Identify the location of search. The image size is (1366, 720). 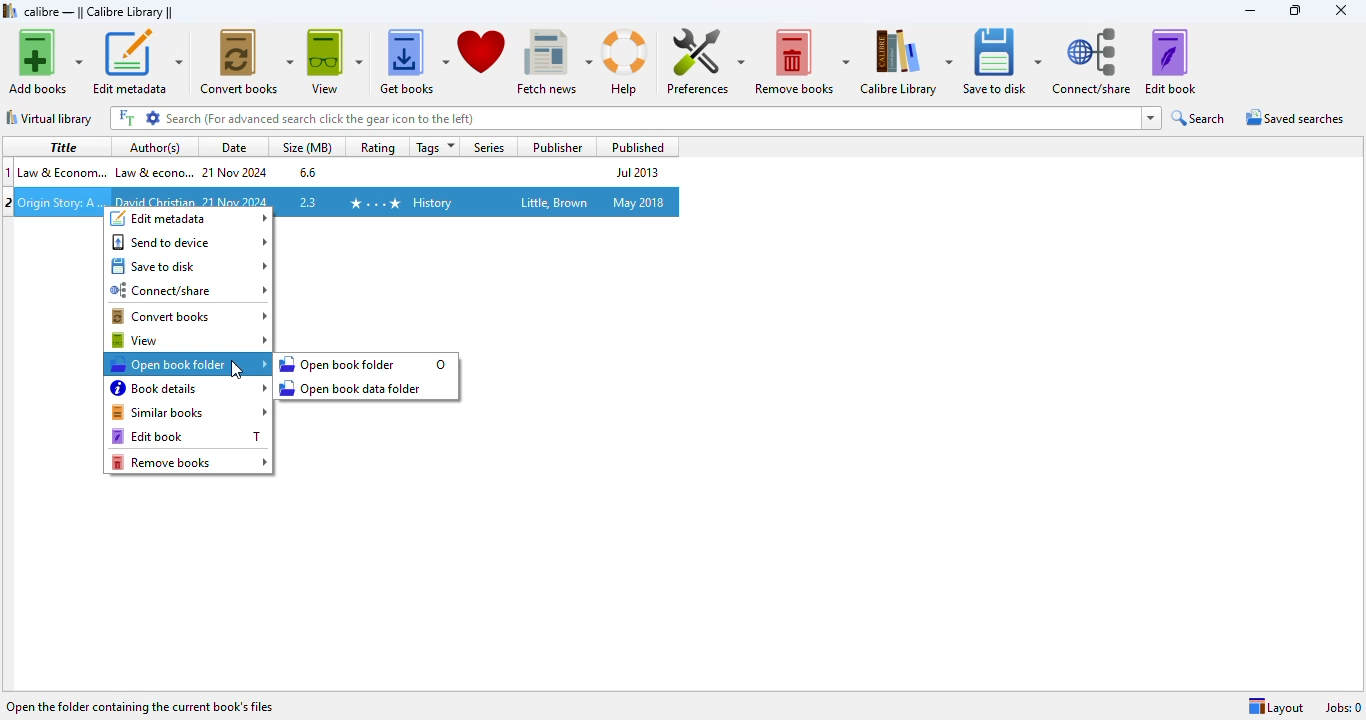
(623, 119).